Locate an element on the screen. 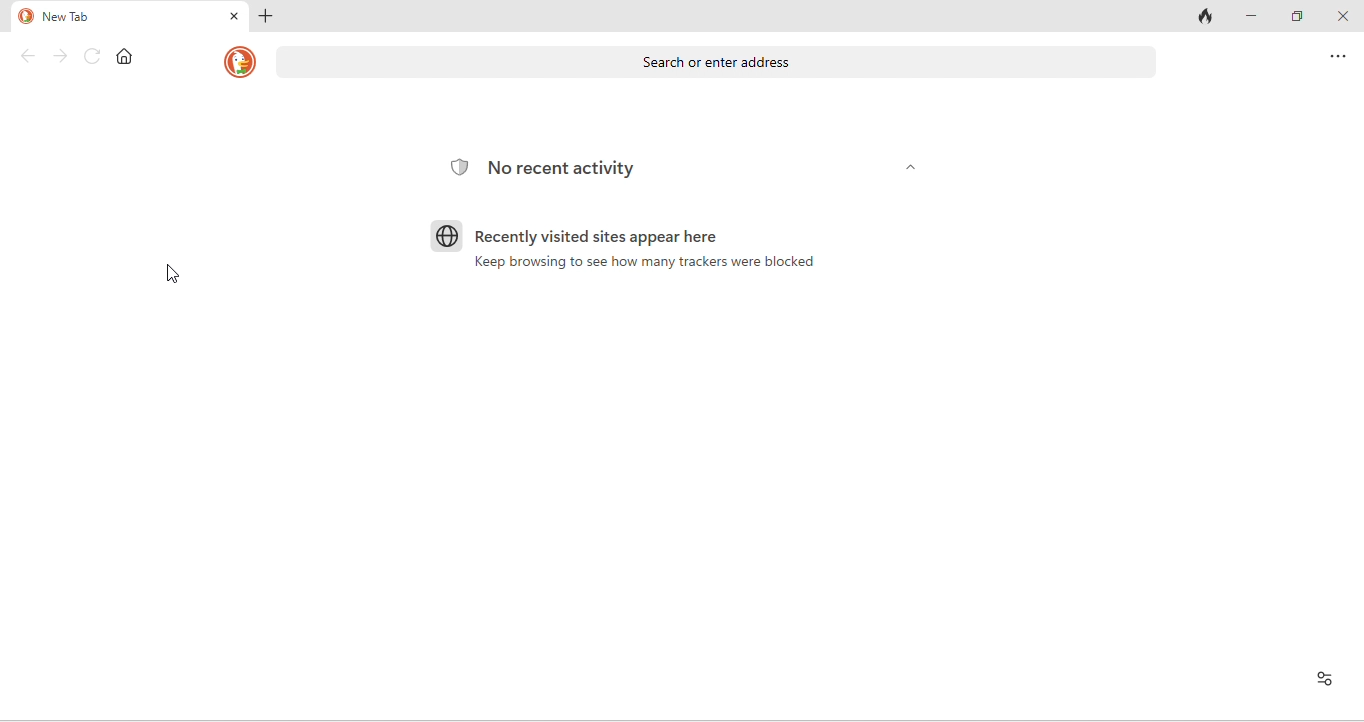 This screenshot has width=1364, height=722. cursor movement is located at coordinates (170, 271).